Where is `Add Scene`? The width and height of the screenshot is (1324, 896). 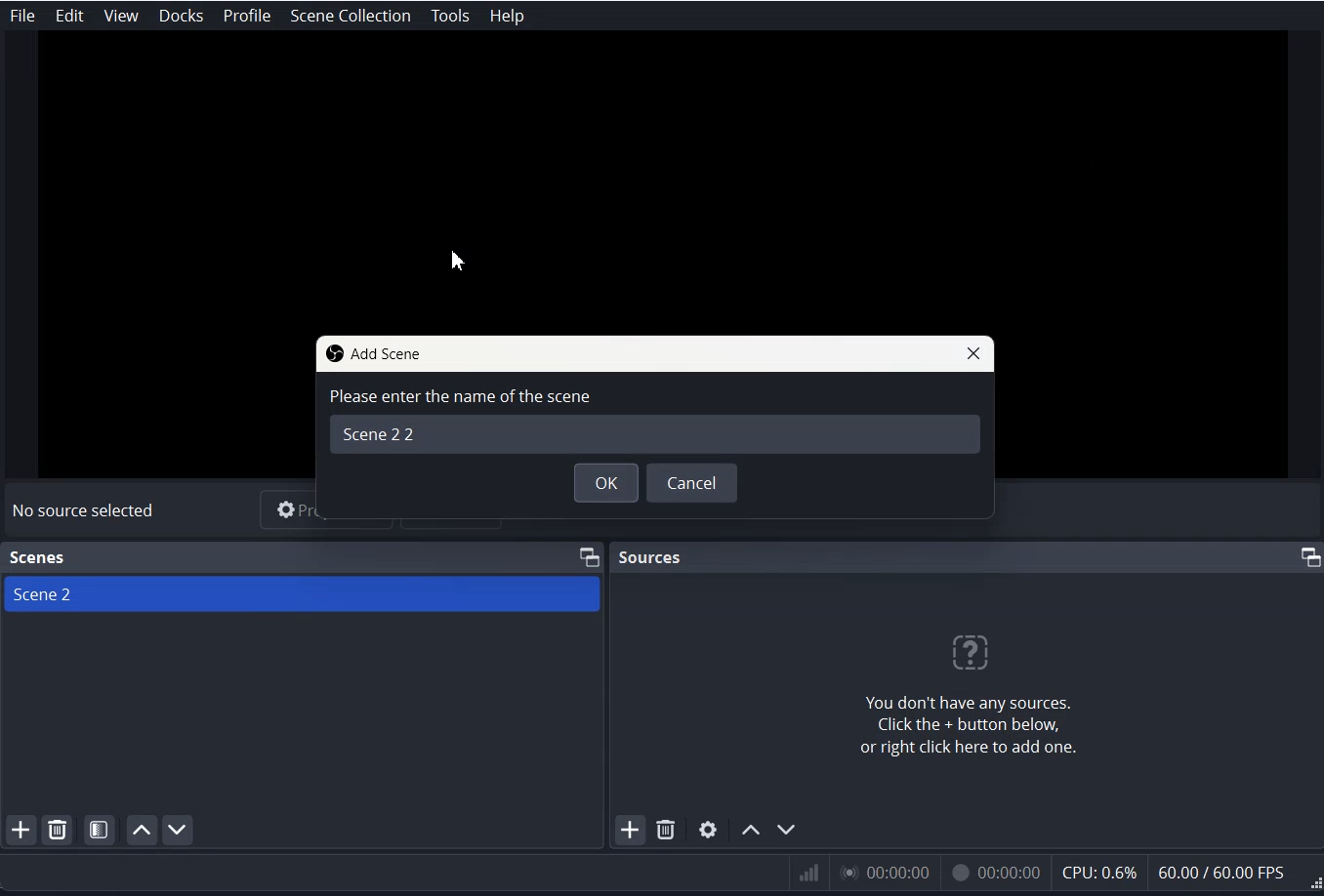
Add Scene is located at coordinates (19, 831).